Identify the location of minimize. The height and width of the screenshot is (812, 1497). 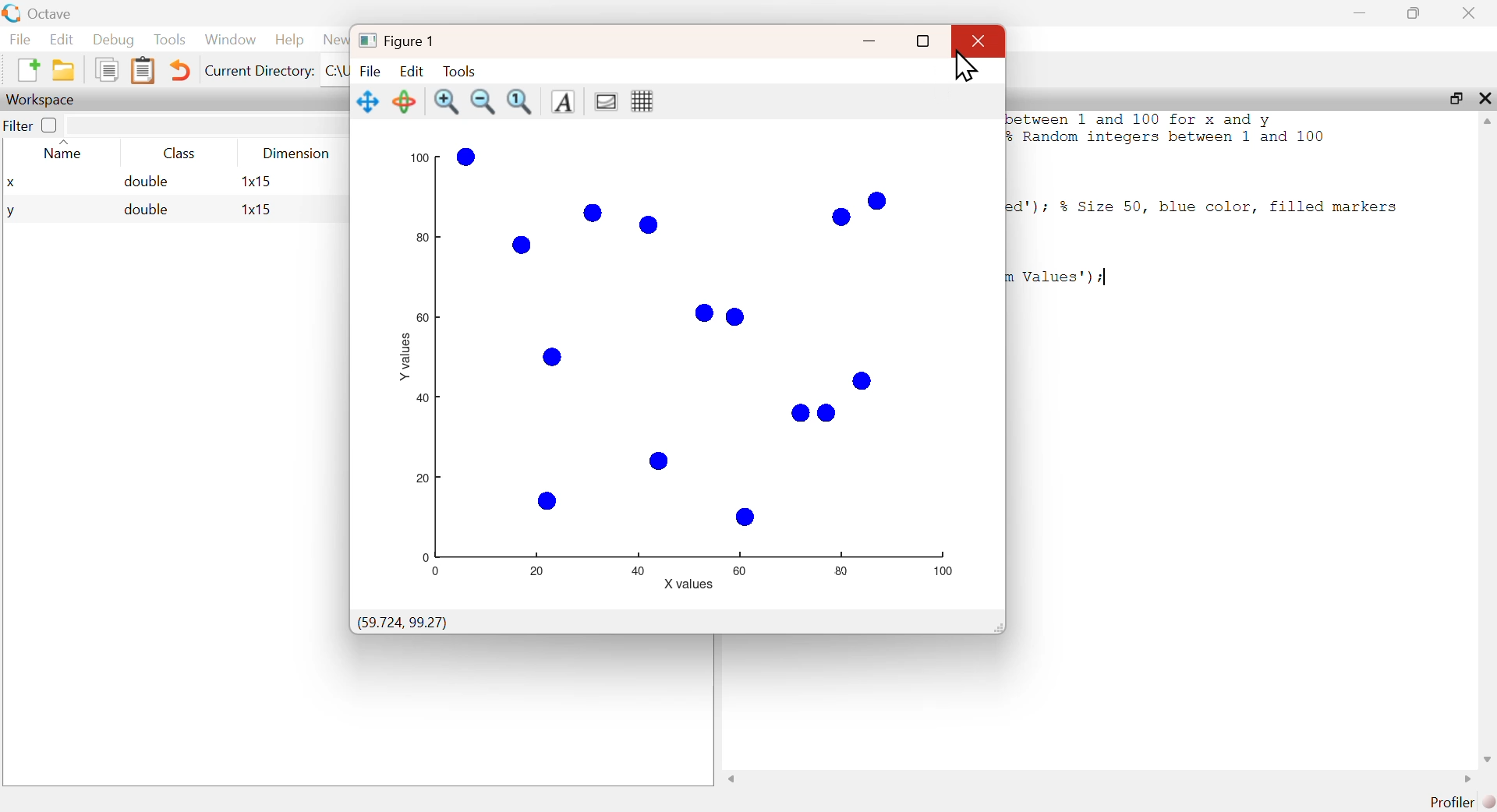
(1362, 13).